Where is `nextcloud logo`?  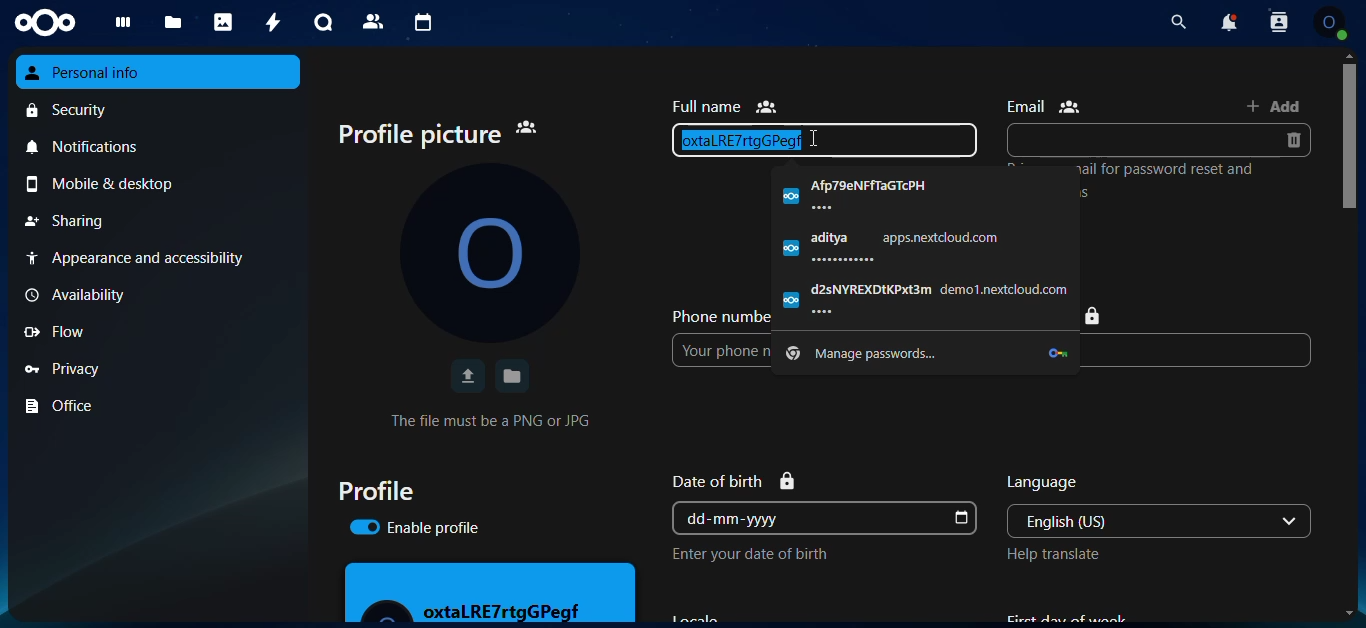
nextcloud logo is located at coordinates (45, 23).